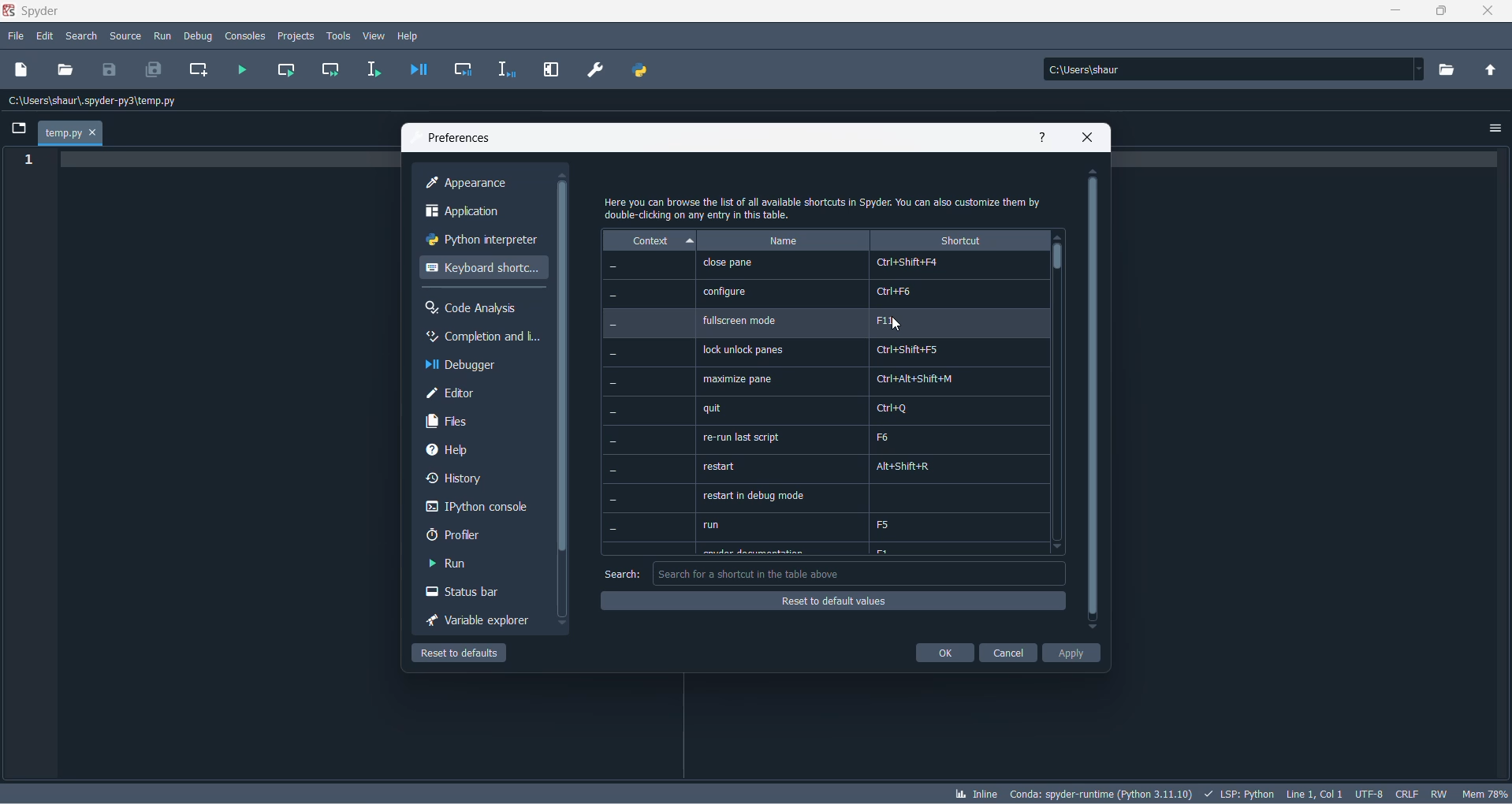 This screenshot has height=804, width=1512. What do you see at coordinates (472, 535) in the screenshot?
I see `proflier` at bounding box center [472, 535].